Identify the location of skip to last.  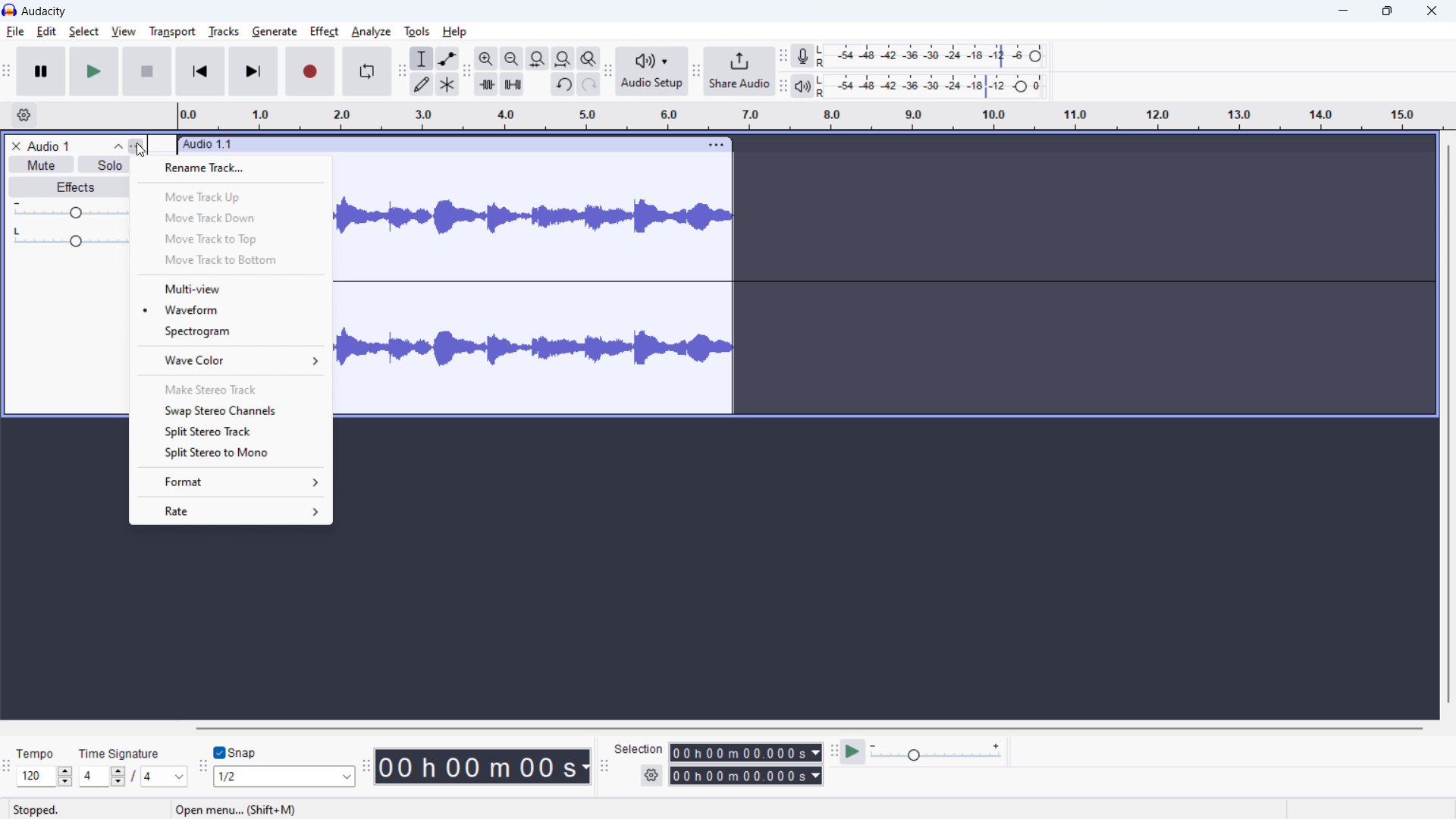
(255, 71).